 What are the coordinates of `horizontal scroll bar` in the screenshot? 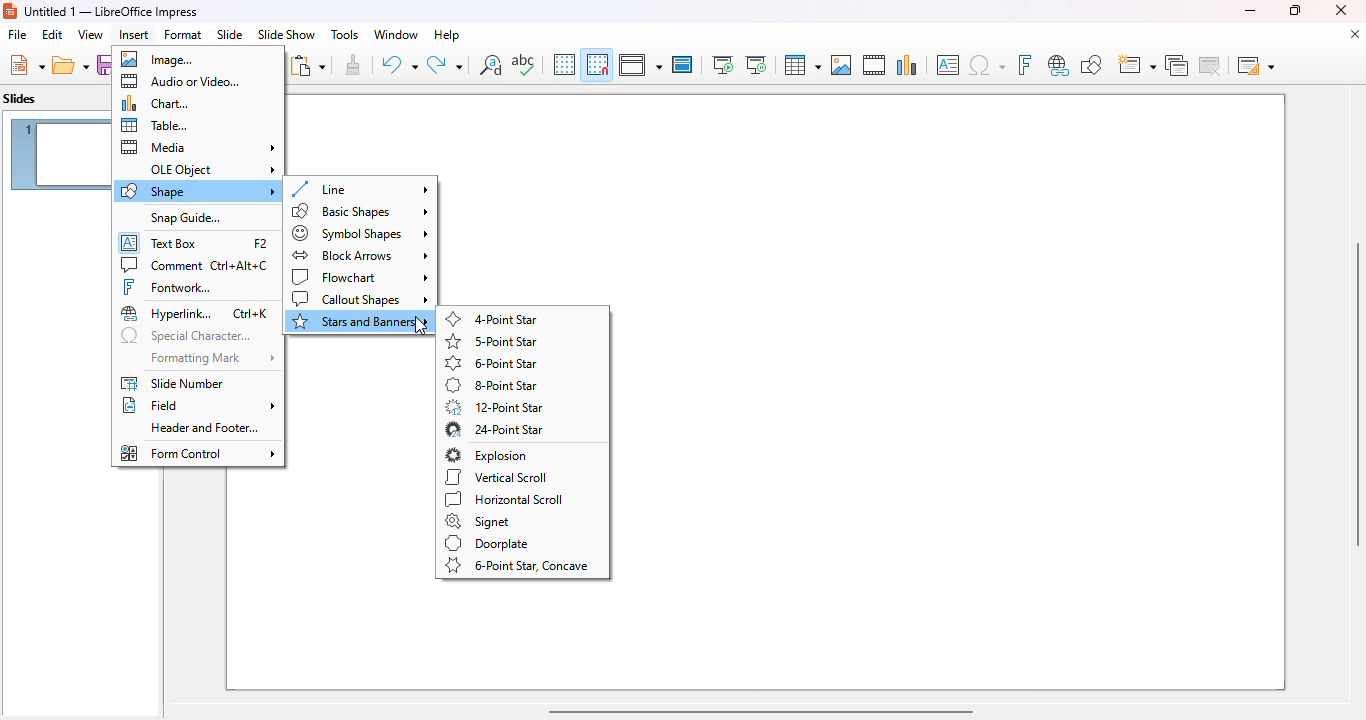 It's located at (759, 710).